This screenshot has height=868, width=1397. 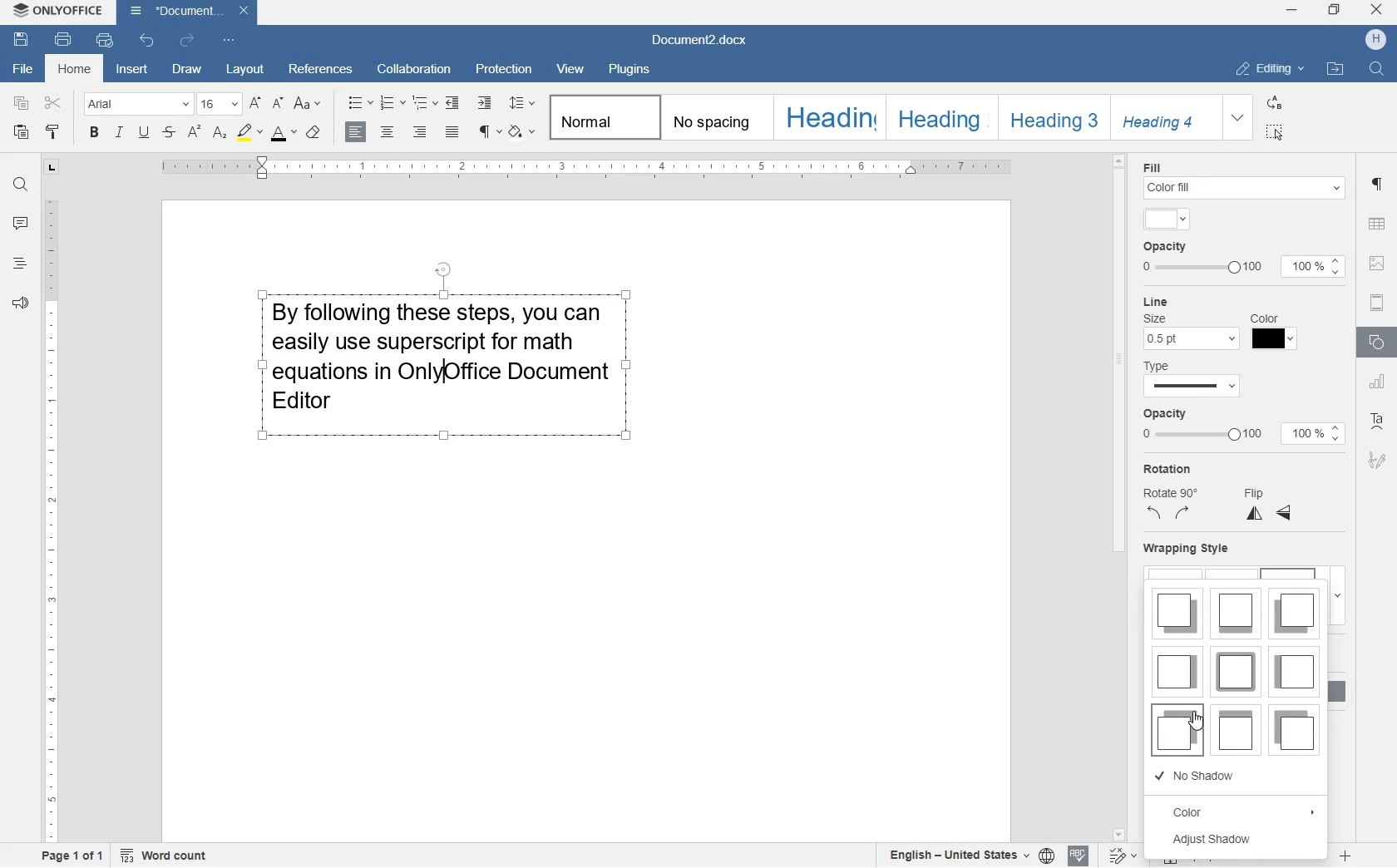 What do you see at coordinates (1311, 266) in the screenshot?
I see `100%` at bounding box center [1311, 266].